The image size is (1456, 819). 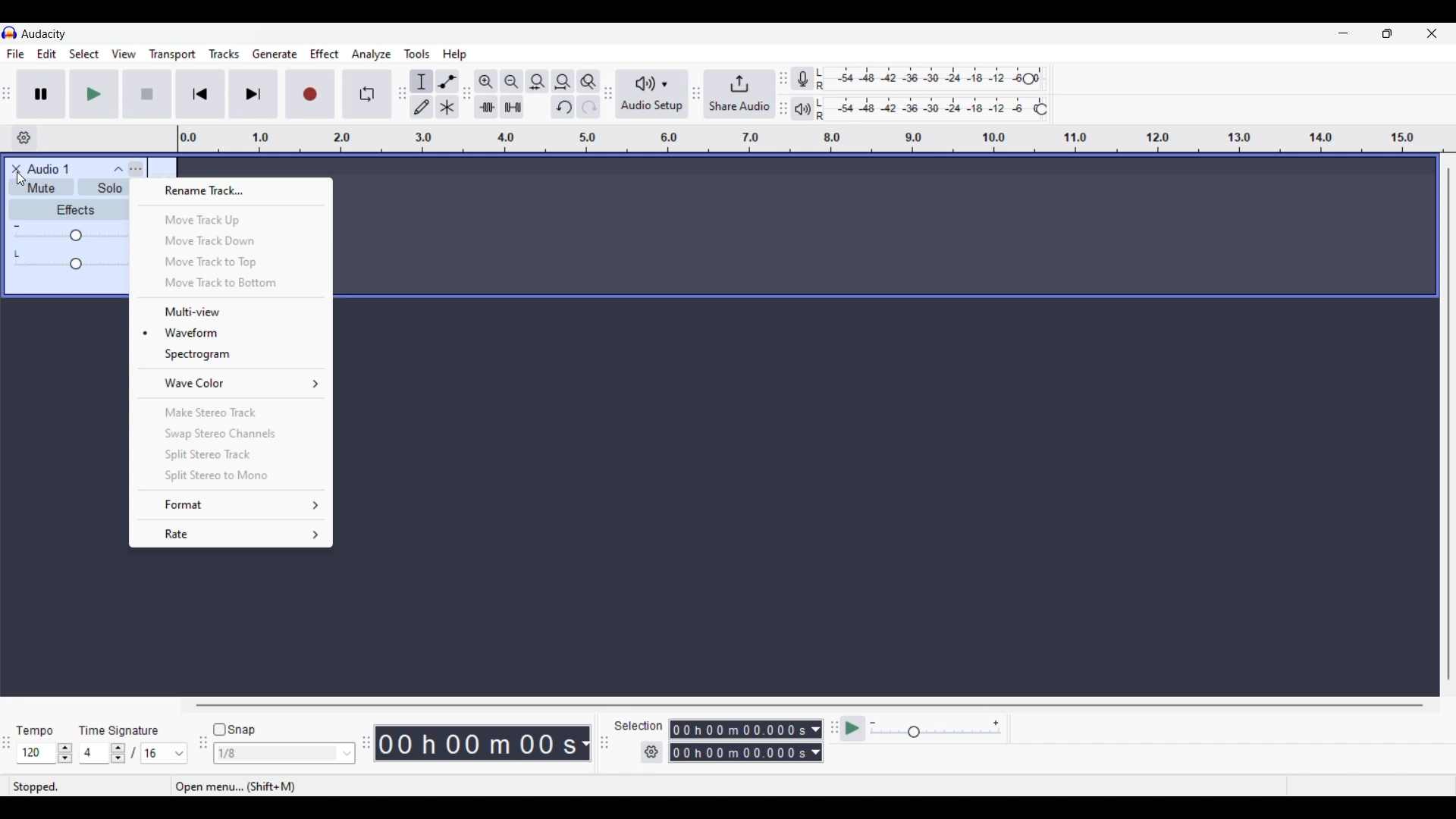 What do you see at coordinates (588, 106) in the screenshot?
I see `Redo` at bounding box center [588, 106].